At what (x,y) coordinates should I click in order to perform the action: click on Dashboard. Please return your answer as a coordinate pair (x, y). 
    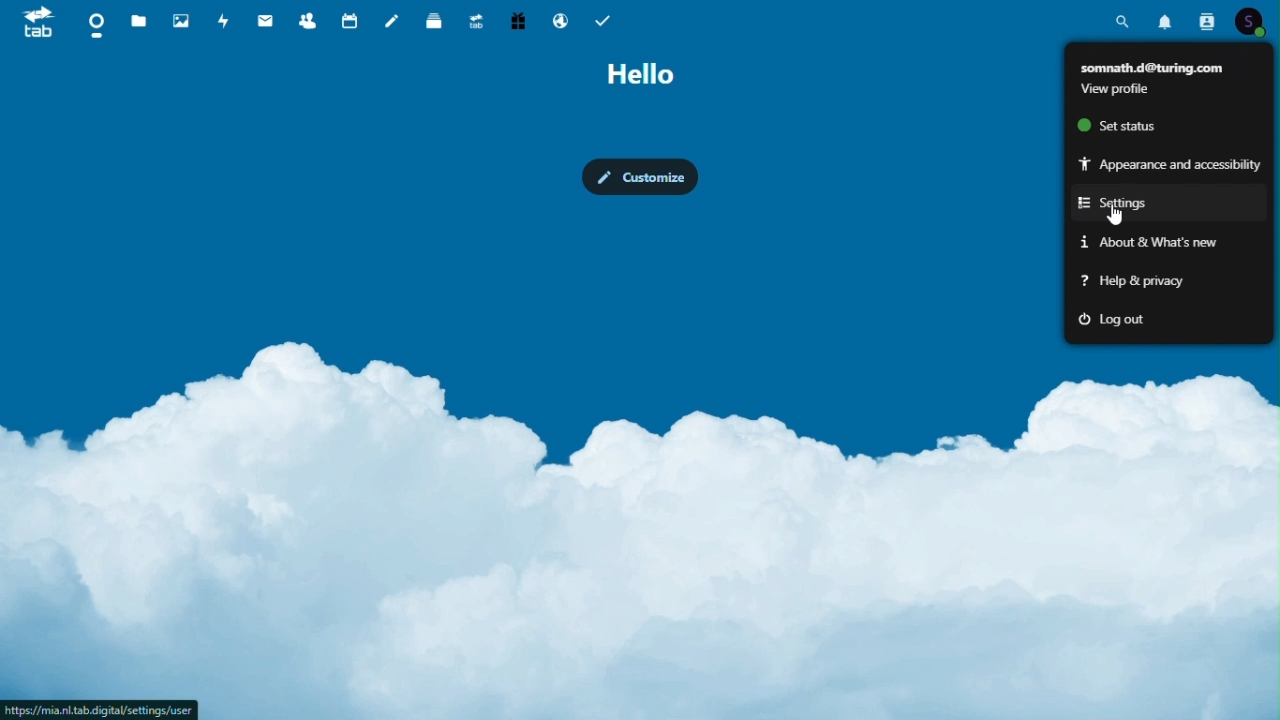
    Looking at the image, I should click on (95, 24).